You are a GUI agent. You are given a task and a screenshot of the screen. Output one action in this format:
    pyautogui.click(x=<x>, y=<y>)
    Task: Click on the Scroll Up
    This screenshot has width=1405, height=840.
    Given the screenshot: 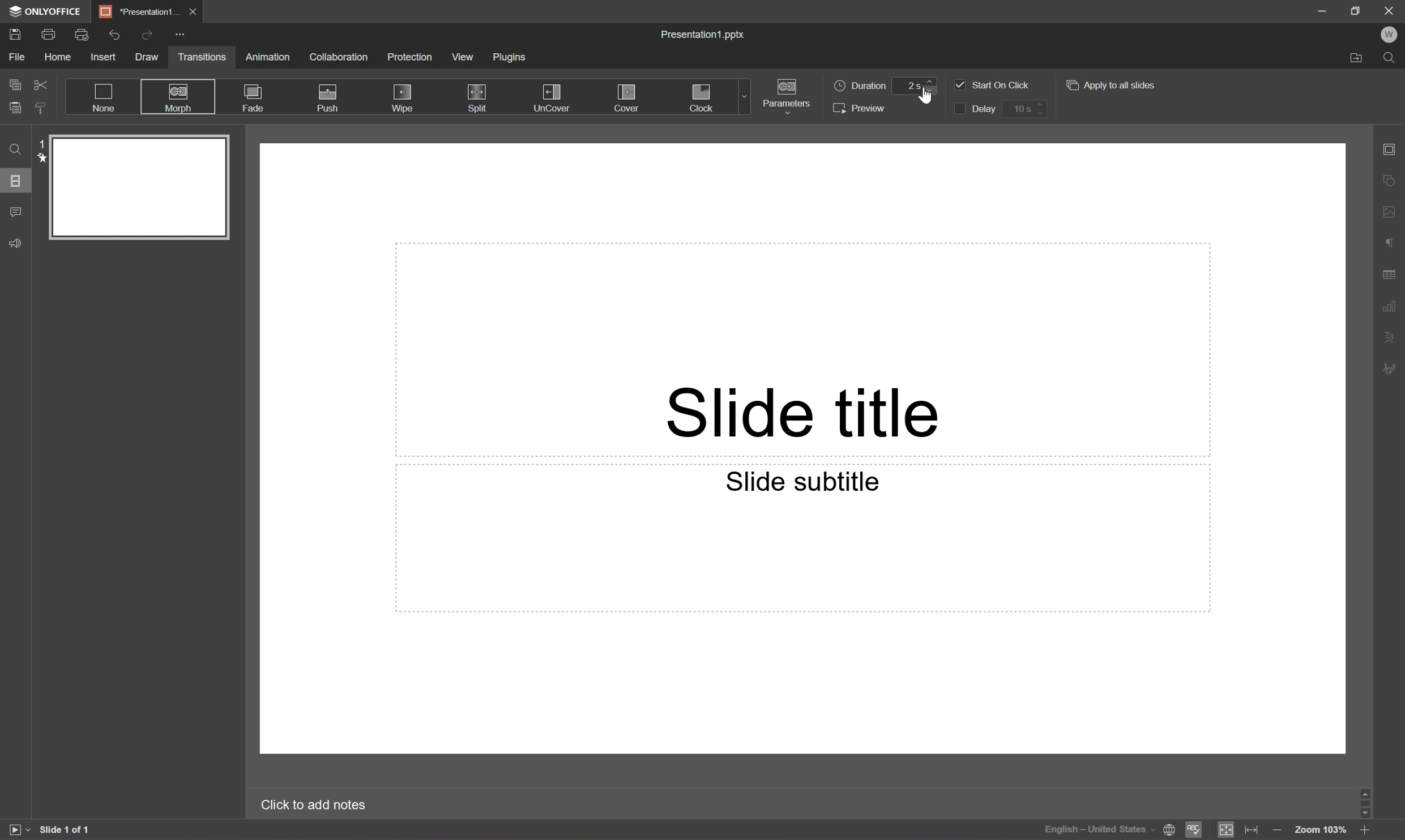 What is the action you would take?
    pyautogui.click(x=1362, y=788)
    